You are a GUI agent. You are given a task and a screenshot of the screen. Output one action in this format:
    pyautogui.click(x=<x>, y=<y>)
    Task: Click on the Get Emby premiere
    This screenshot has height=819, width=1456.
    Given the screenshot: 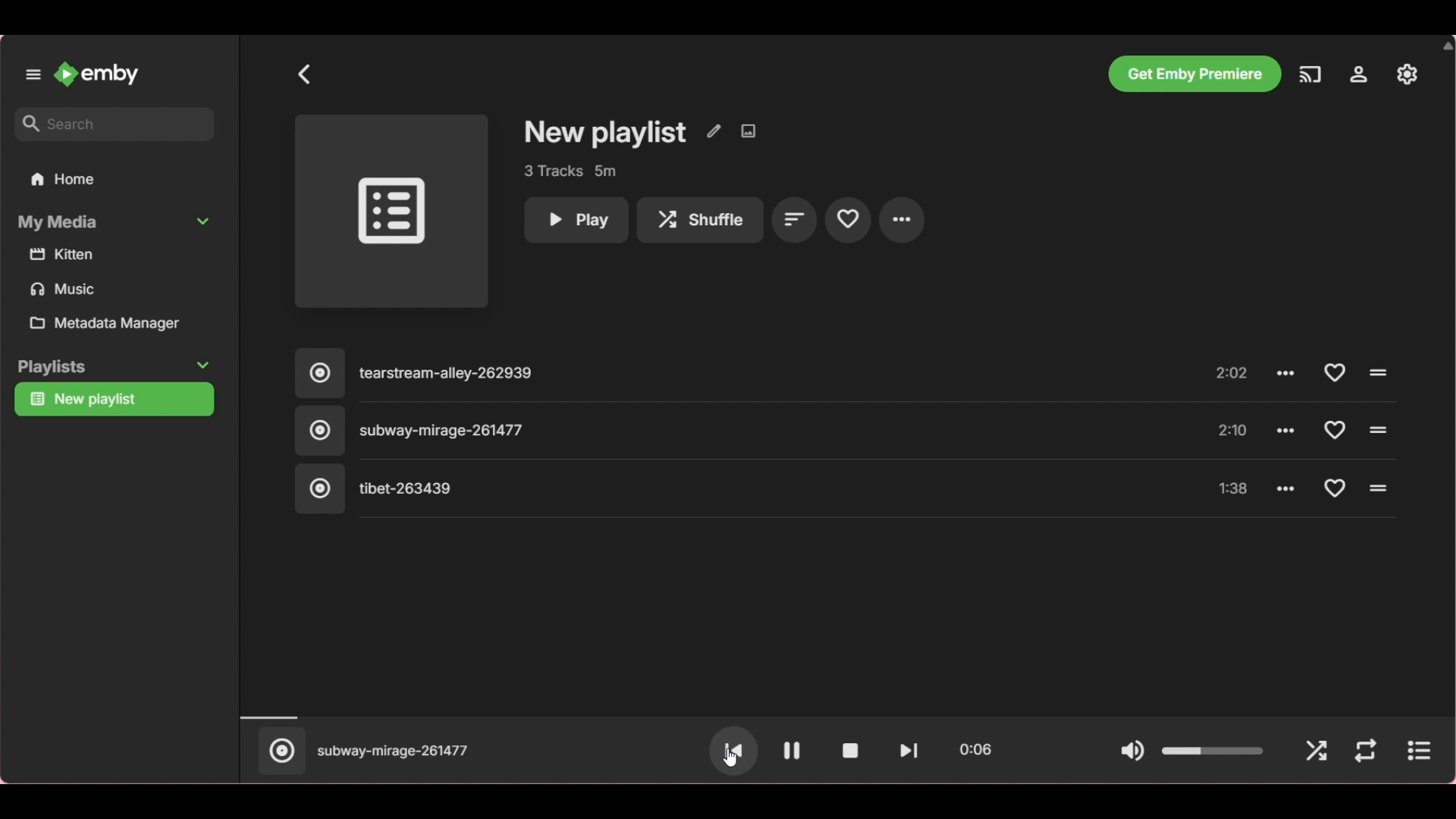 What is the action you would take?
    pyautogui.click(x=1194, y=74)
    